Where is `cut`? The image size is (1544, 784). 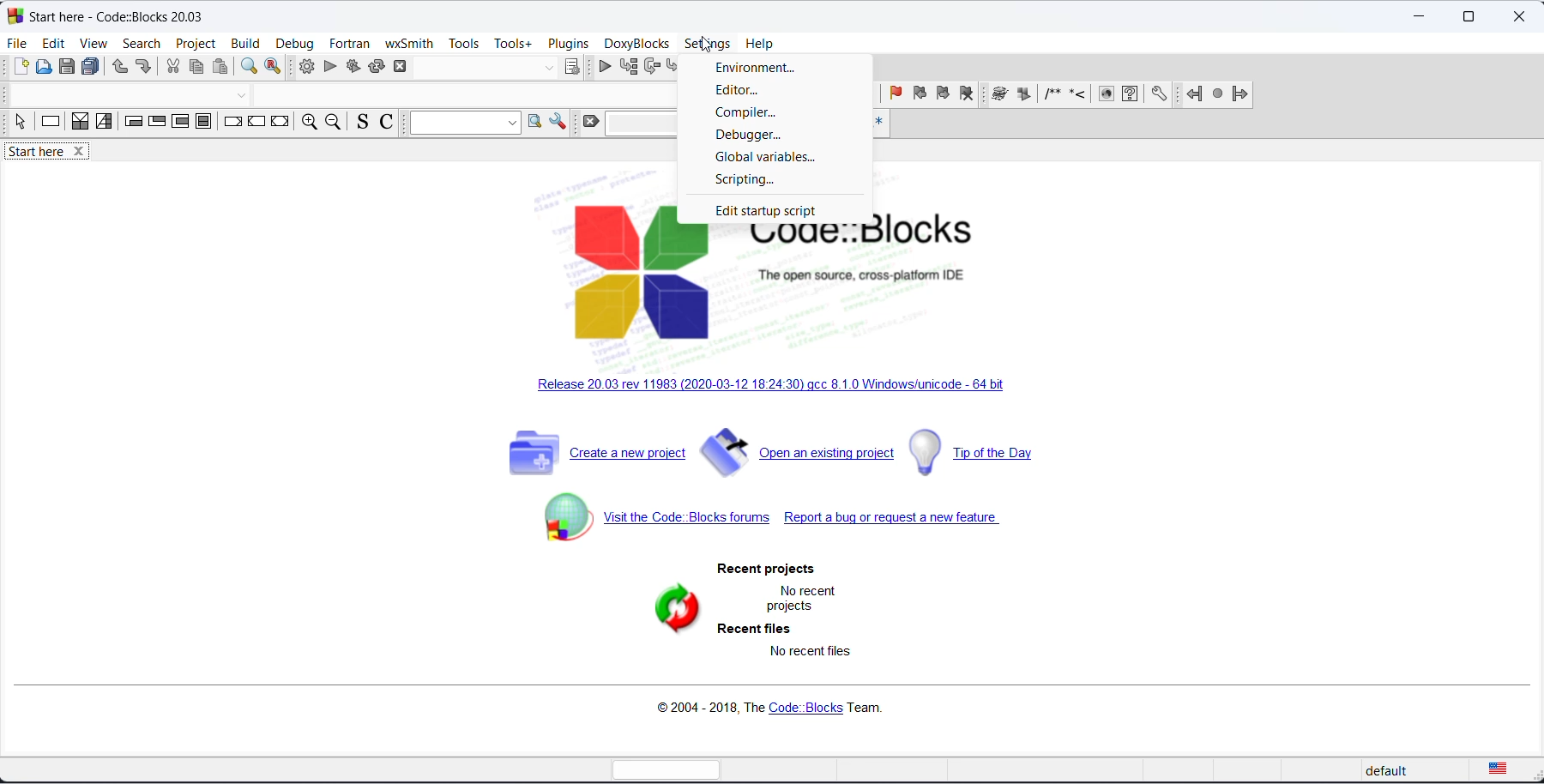 cut is located at coordinates (174, 66).